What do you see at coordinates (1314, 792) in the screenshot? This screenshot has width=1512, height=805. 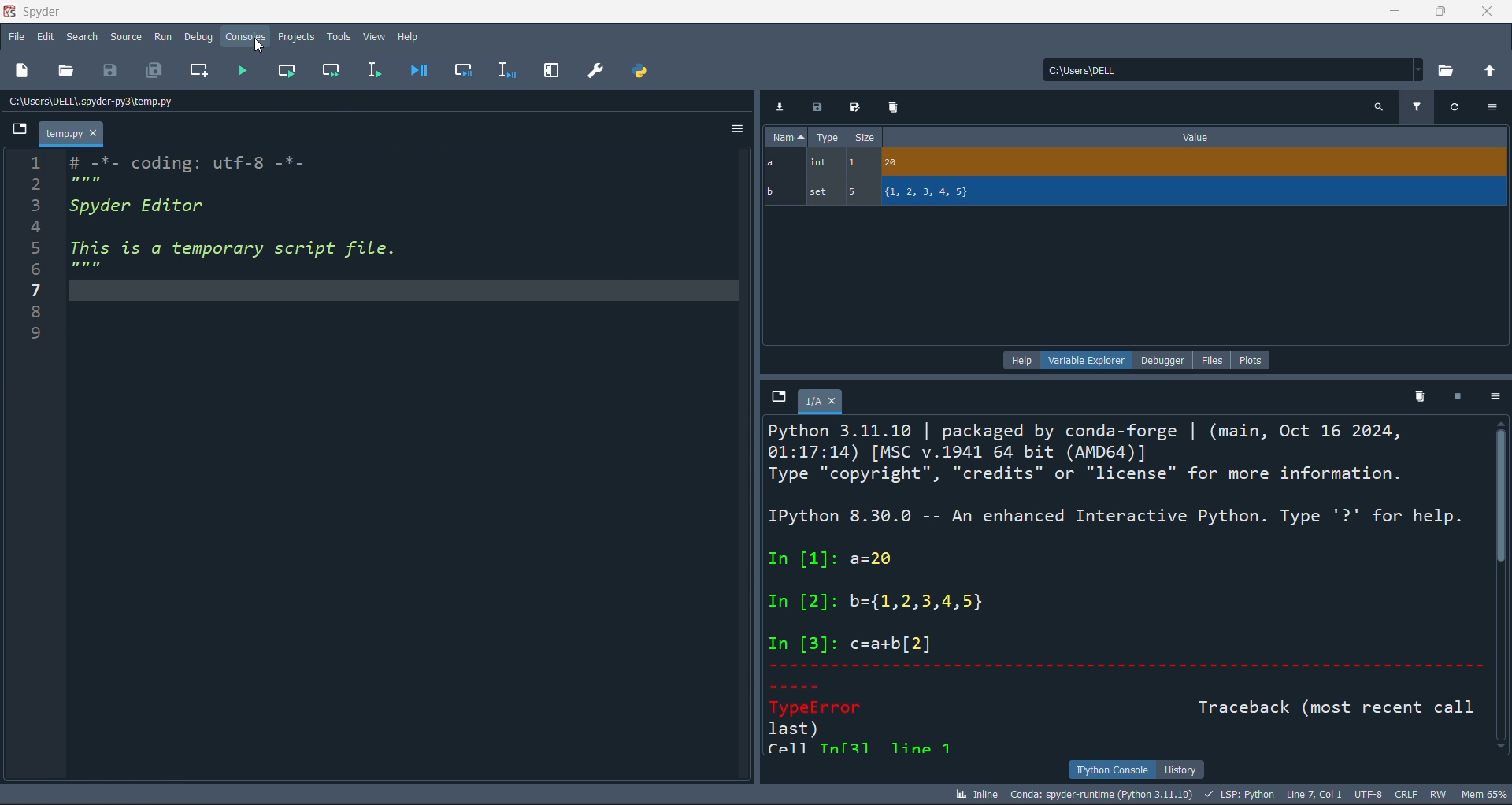 I see `LINE 7, COL 1` at bounding box center [1314, 792].